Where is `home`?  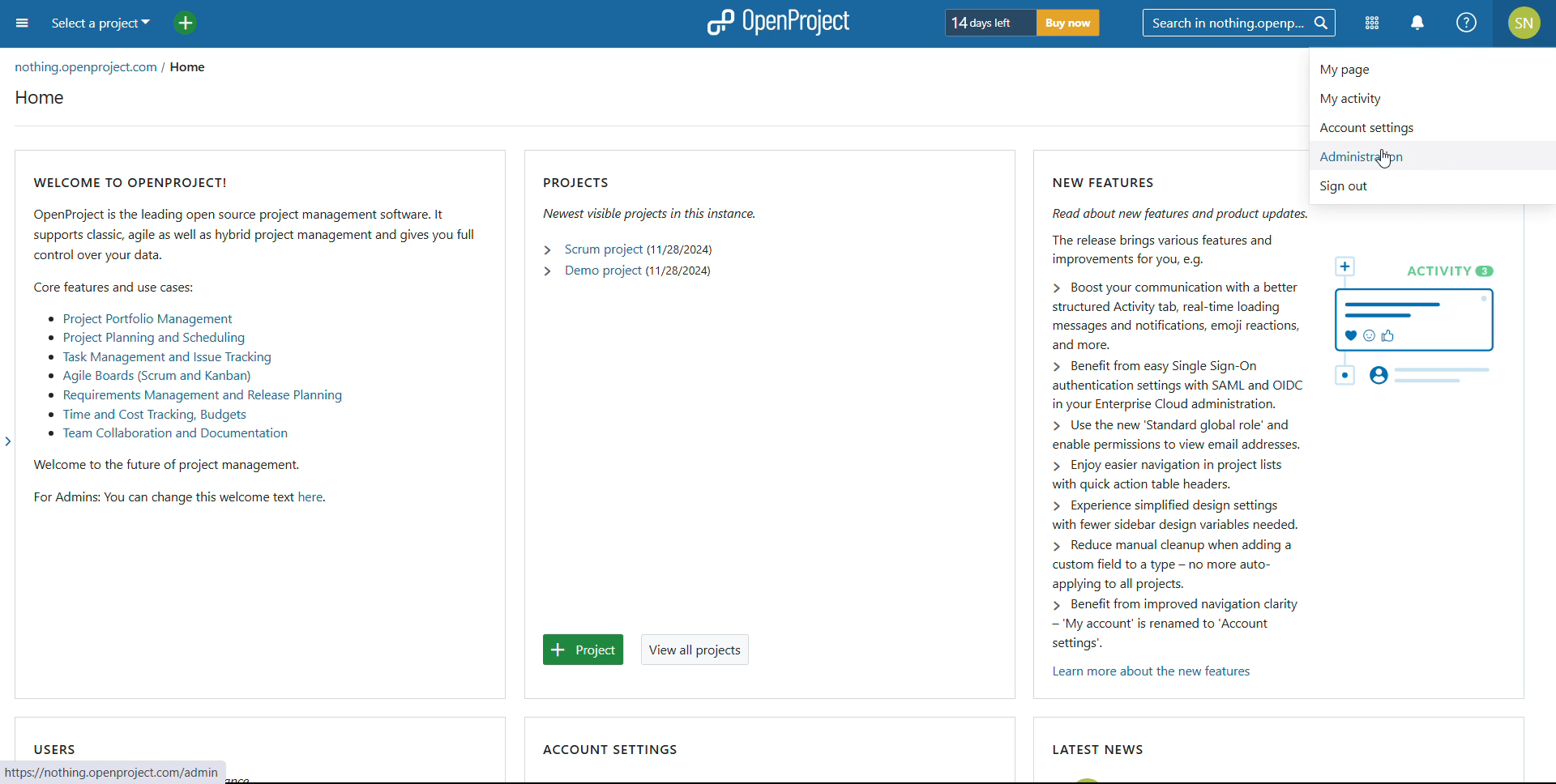 home is located at coordinates (40, 97).